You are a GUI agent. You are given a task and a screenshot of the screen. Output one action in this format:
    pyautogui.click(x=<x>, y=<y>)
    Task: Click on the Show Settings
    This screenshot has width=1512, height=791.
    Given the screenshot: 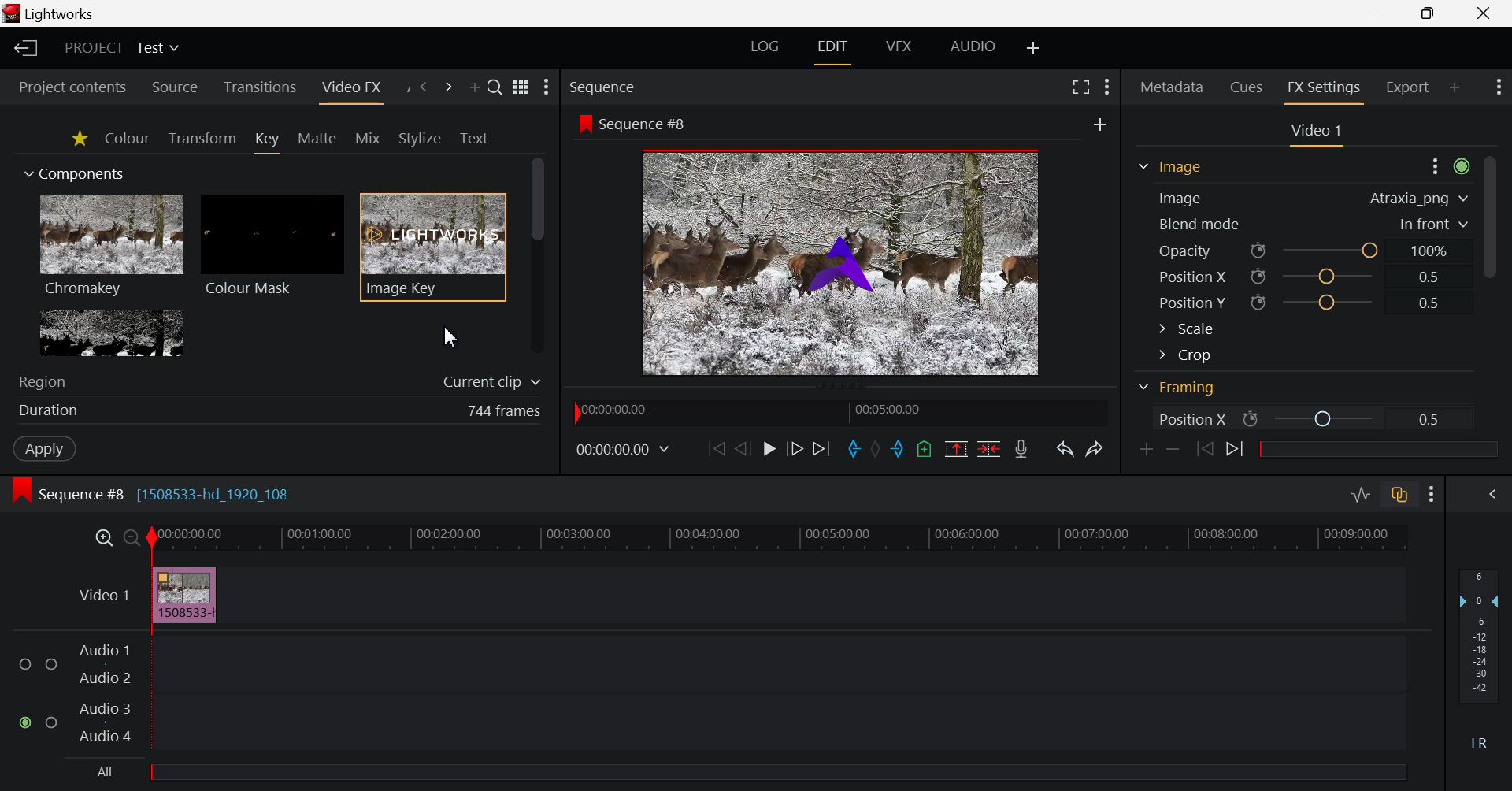 What is the action you would take?
    pyautogui.click(x=1450, y=165)
    